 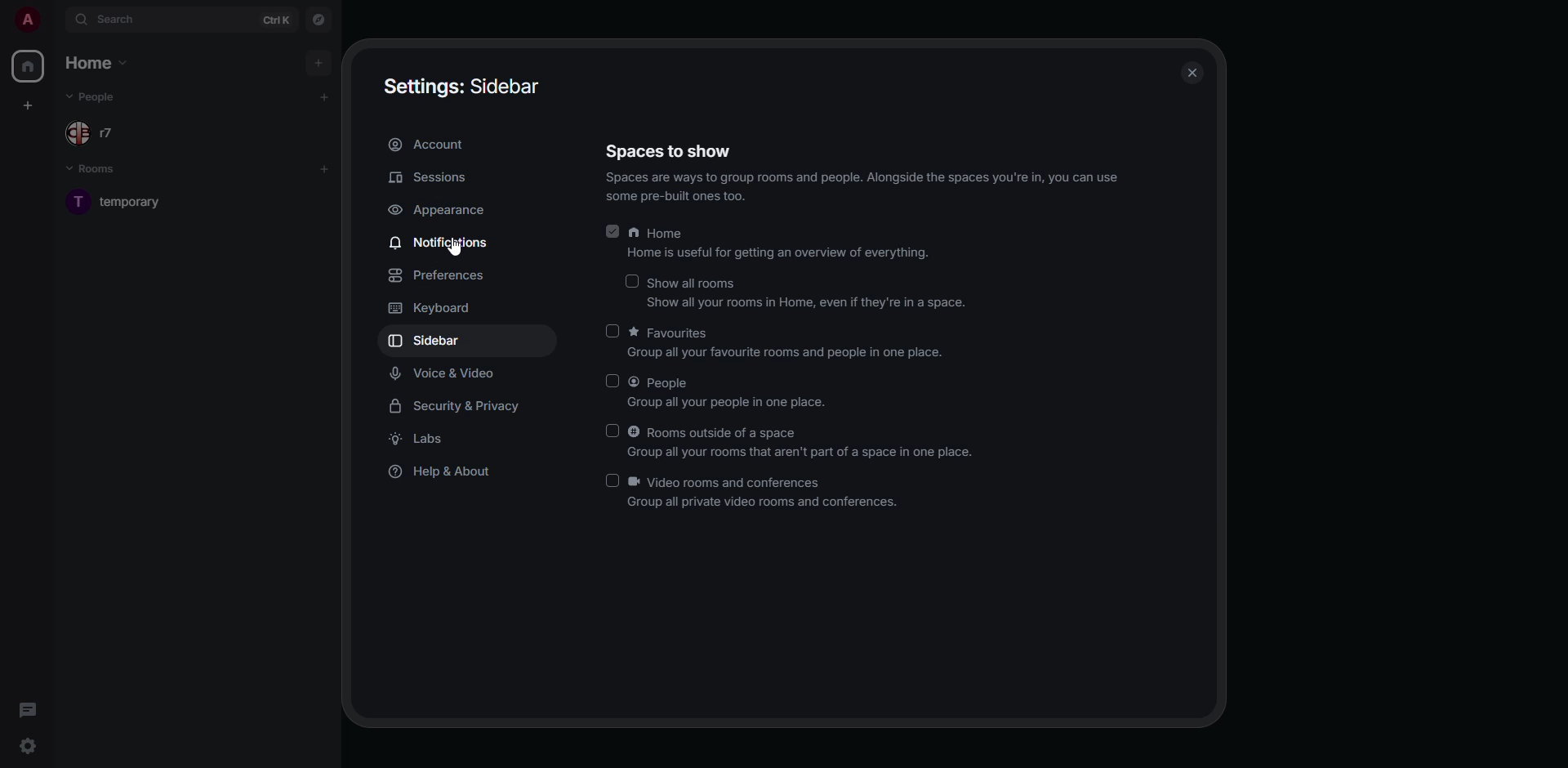 I want to click on click to enable, so click(x=632, y=281).